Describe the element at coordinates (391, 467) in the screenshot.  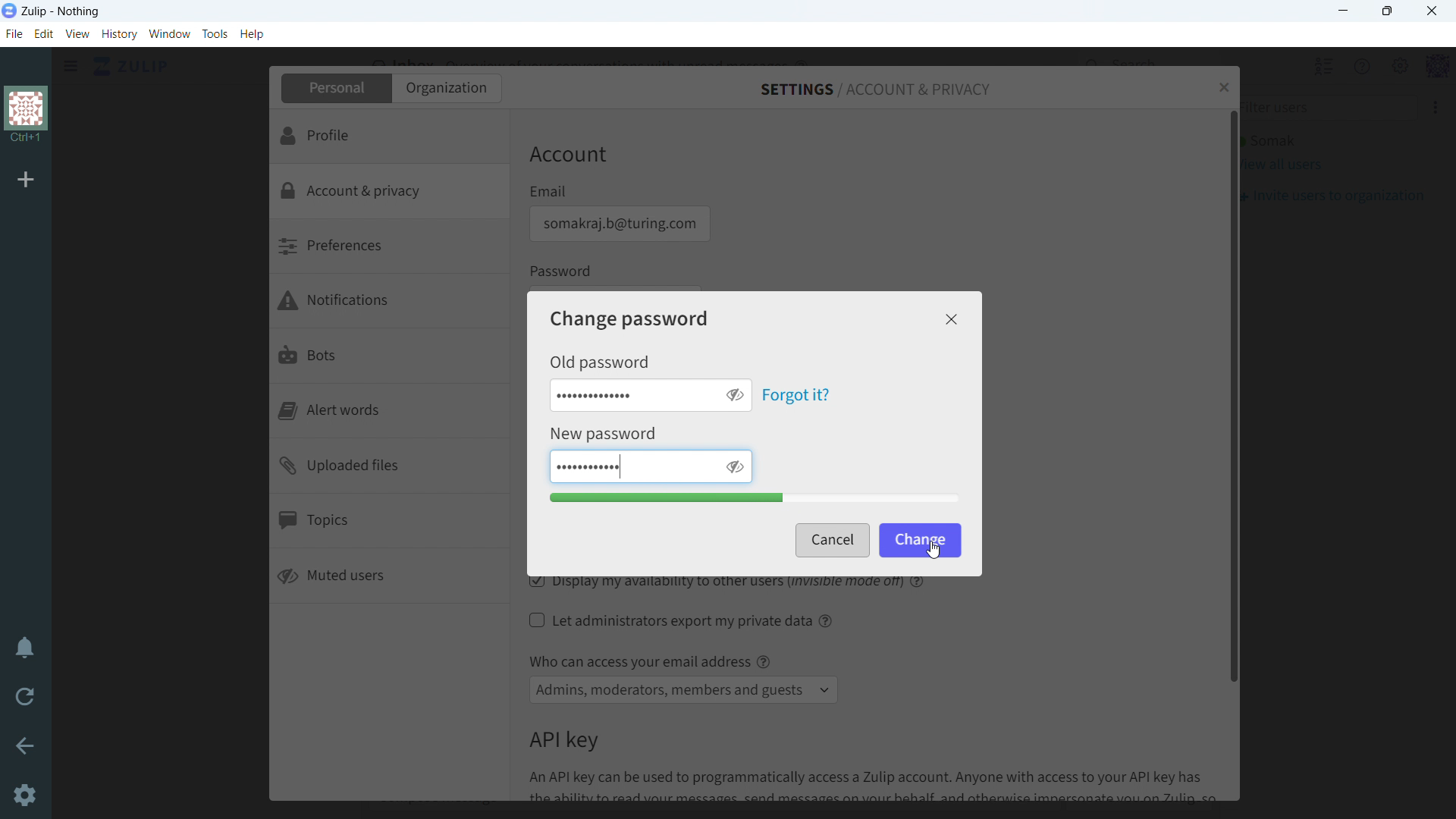
I see `uploaded files` at that location.